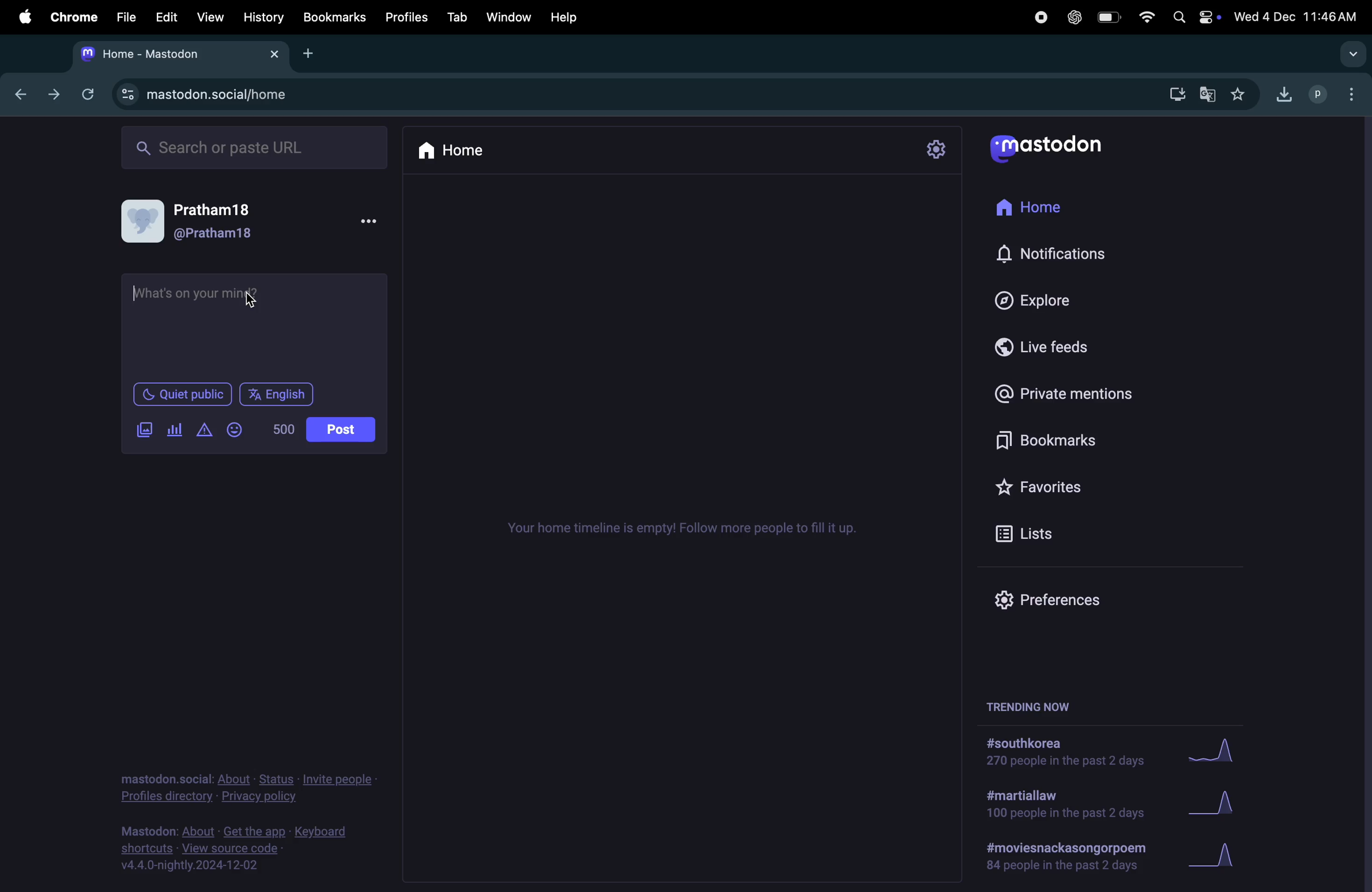 This screenshot has width=1372, height=892. What do you see at coordinates (1193, 16) in the screenshot?
I see `apple widgets` at bounding box center [1193, 16].